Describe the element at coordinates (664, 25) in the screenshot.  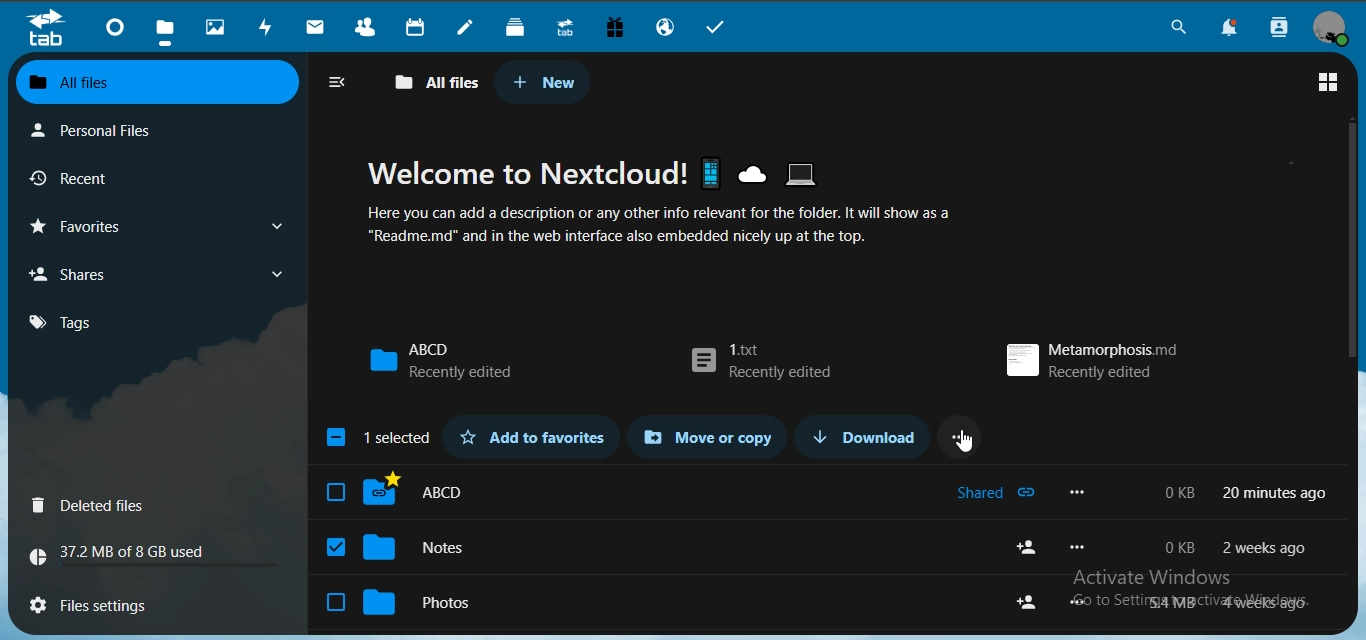
I see `email hosting` at that location.